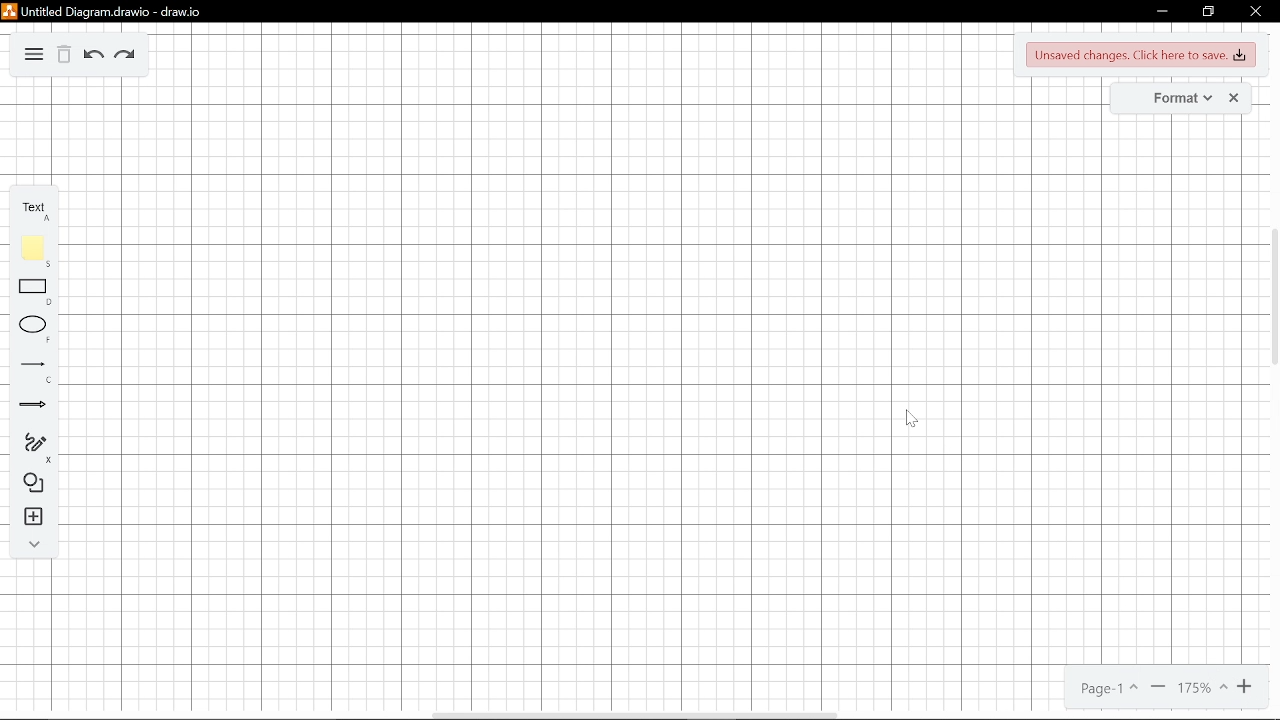 Image resolution: width=1280 pixels, height=720 pixels. What do you see at coordinates (28, 406) in the screenshot?
I see `arrows` at bounding box center [28, 406].